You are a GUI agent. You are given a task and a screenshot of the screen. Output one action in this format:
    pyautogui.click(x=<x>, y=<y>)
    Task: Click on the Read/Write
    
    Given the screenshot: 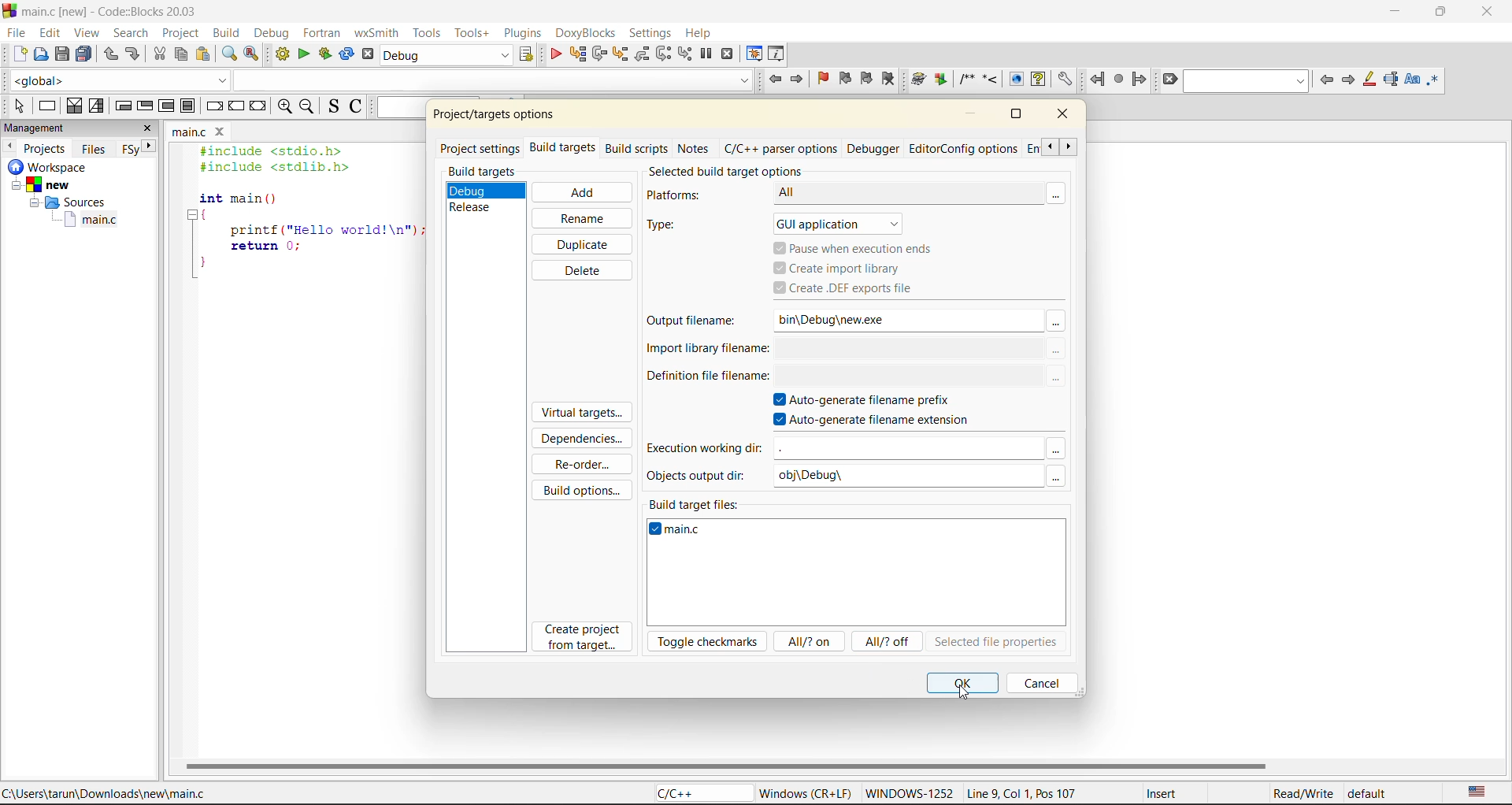 What is the action you would take?
    pyautogui.click(x=1301, y=792)
    